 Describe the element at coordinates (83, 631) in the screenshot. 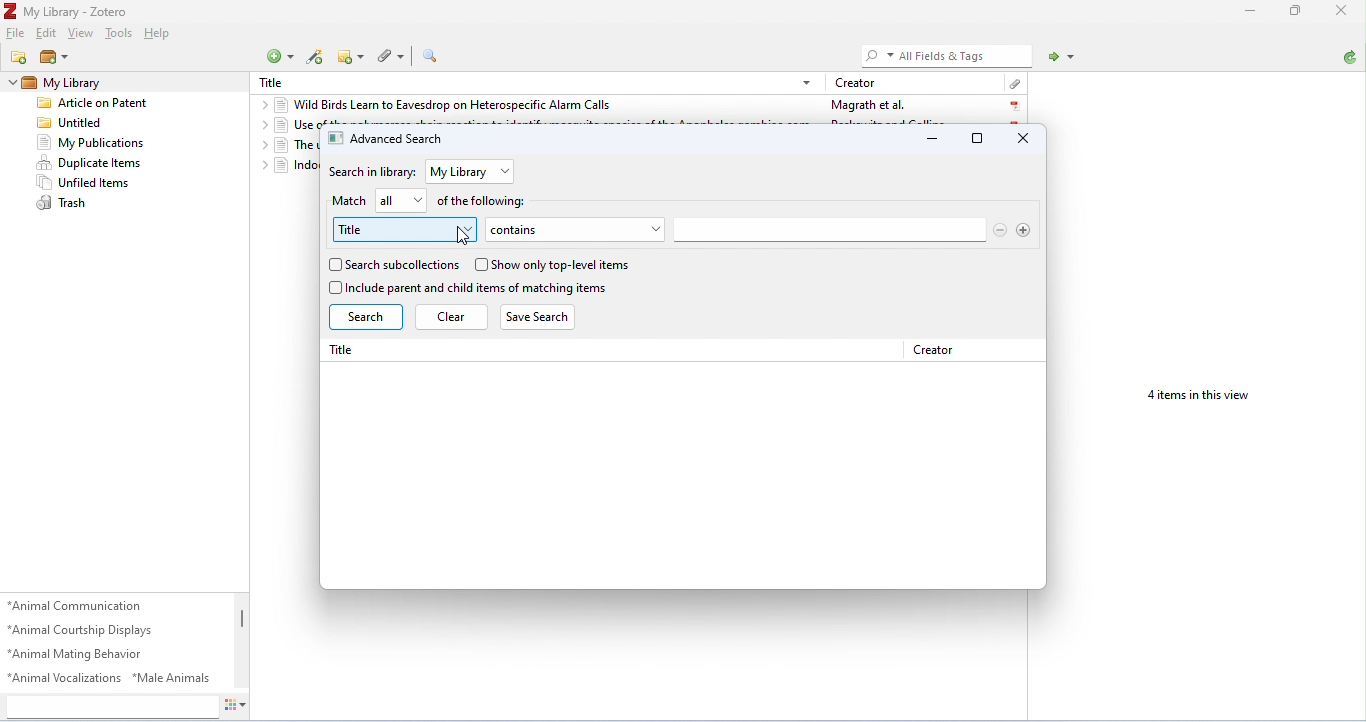

I see `animal courtship displays` at that location.